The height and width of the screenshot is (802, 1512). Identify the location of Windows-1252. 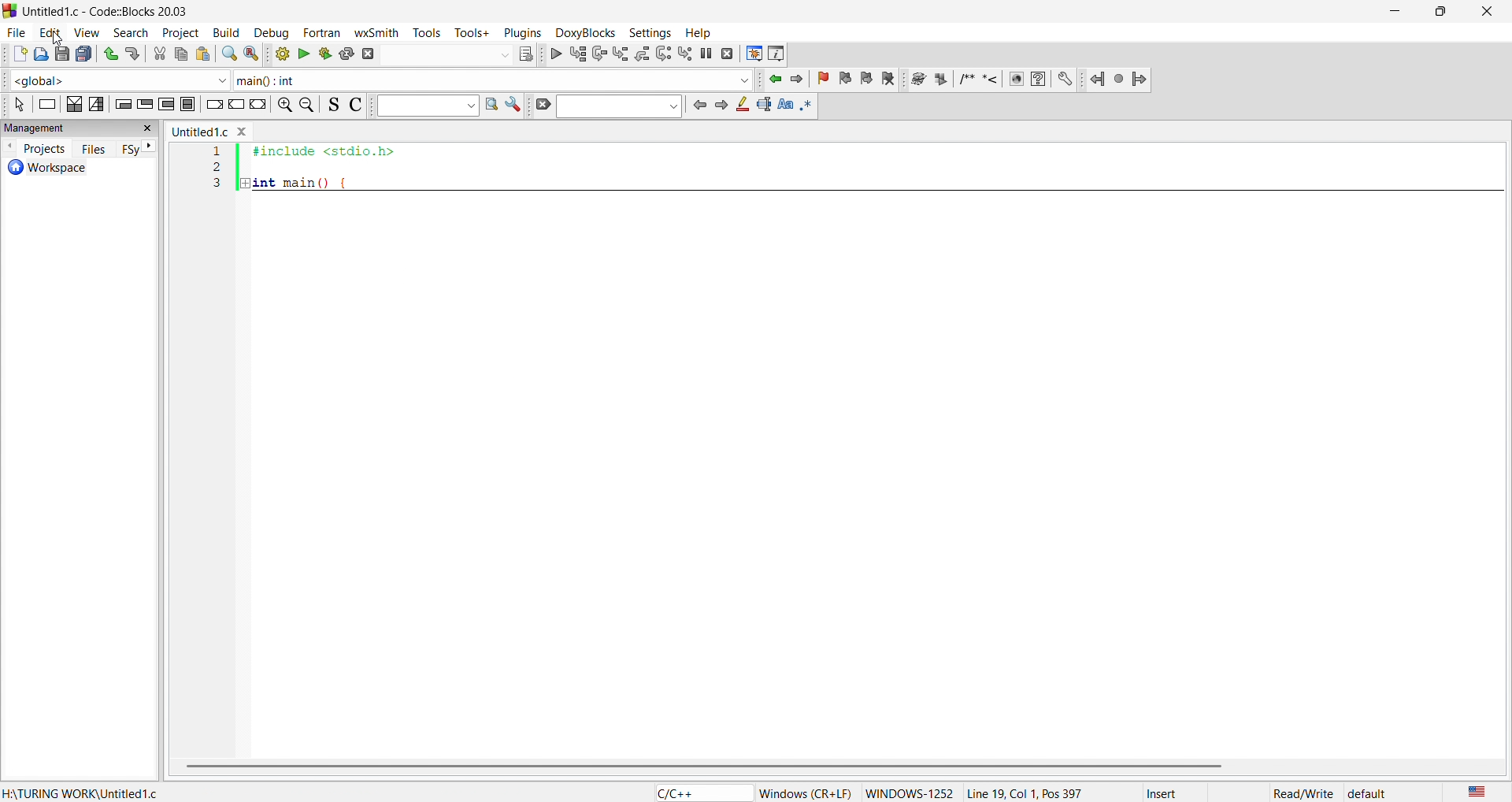
(910, 793).